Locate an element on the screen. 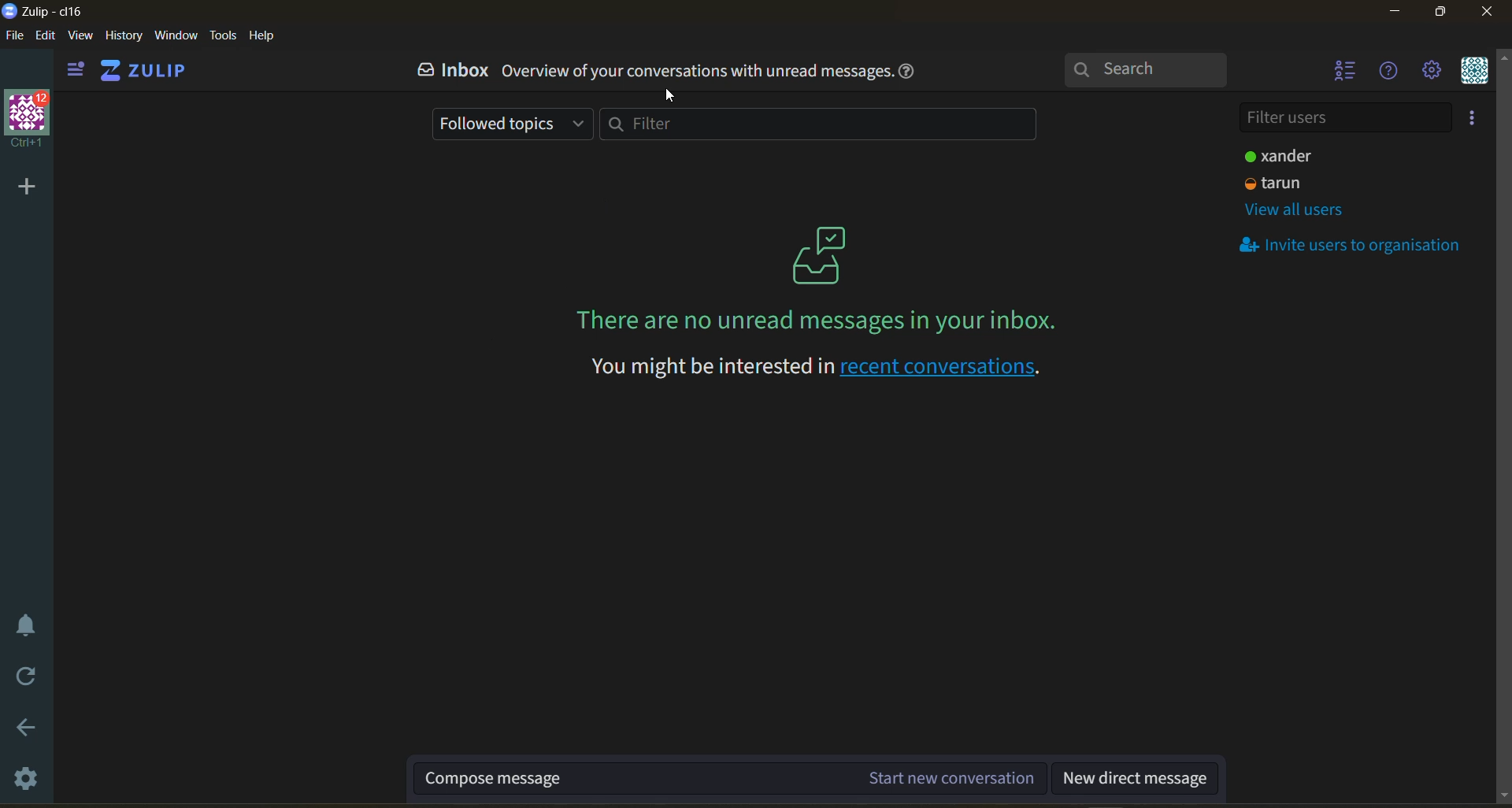 The width and height of the screenshot is (1512, 808). invite users to organisation is located at coordinates (1349, 243).